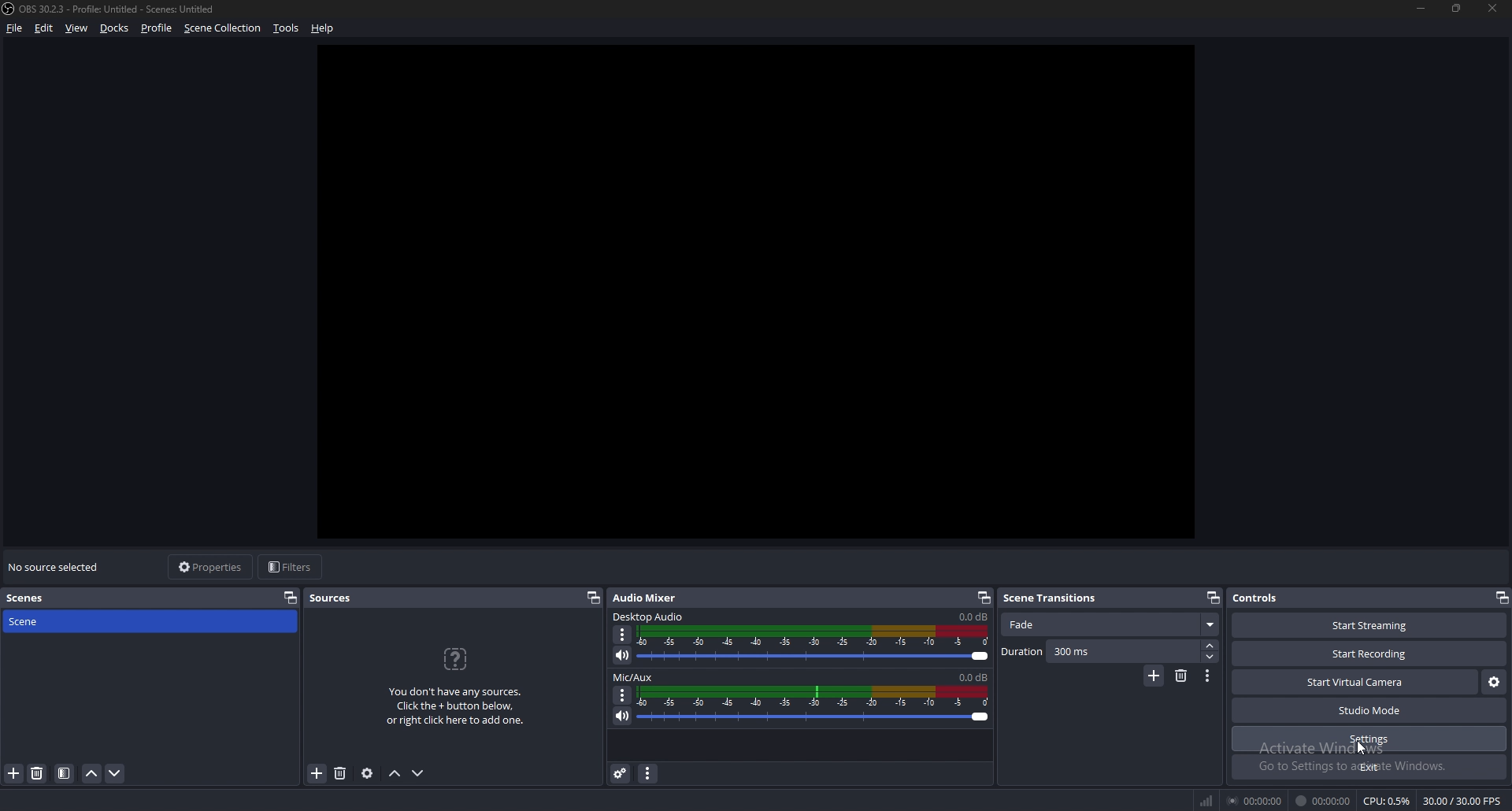  I want to click on cursor, so click(1361, 746).